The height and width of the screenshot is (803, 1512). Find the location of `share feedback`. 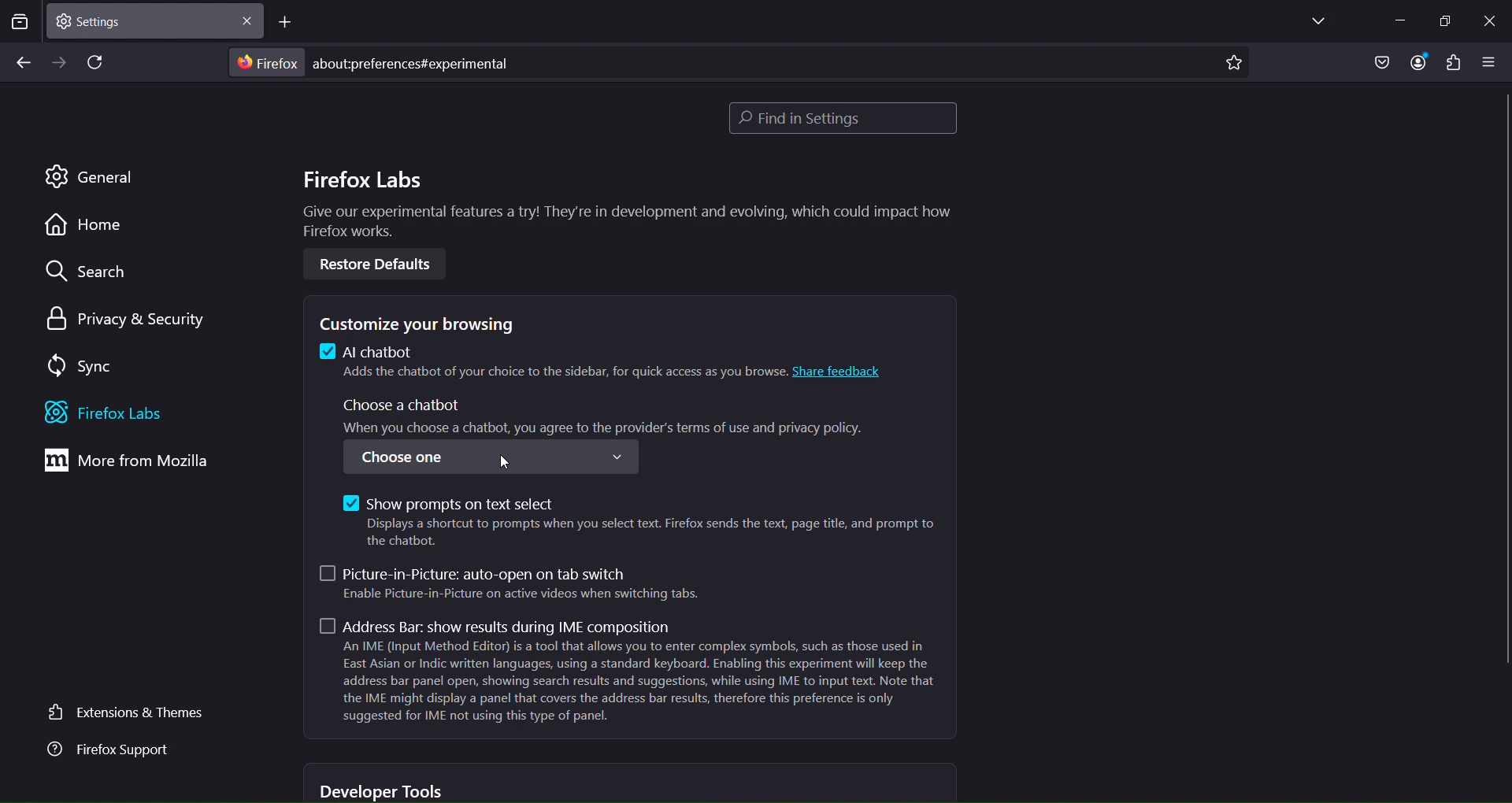

share feedback is located at coordinates (843, 371).